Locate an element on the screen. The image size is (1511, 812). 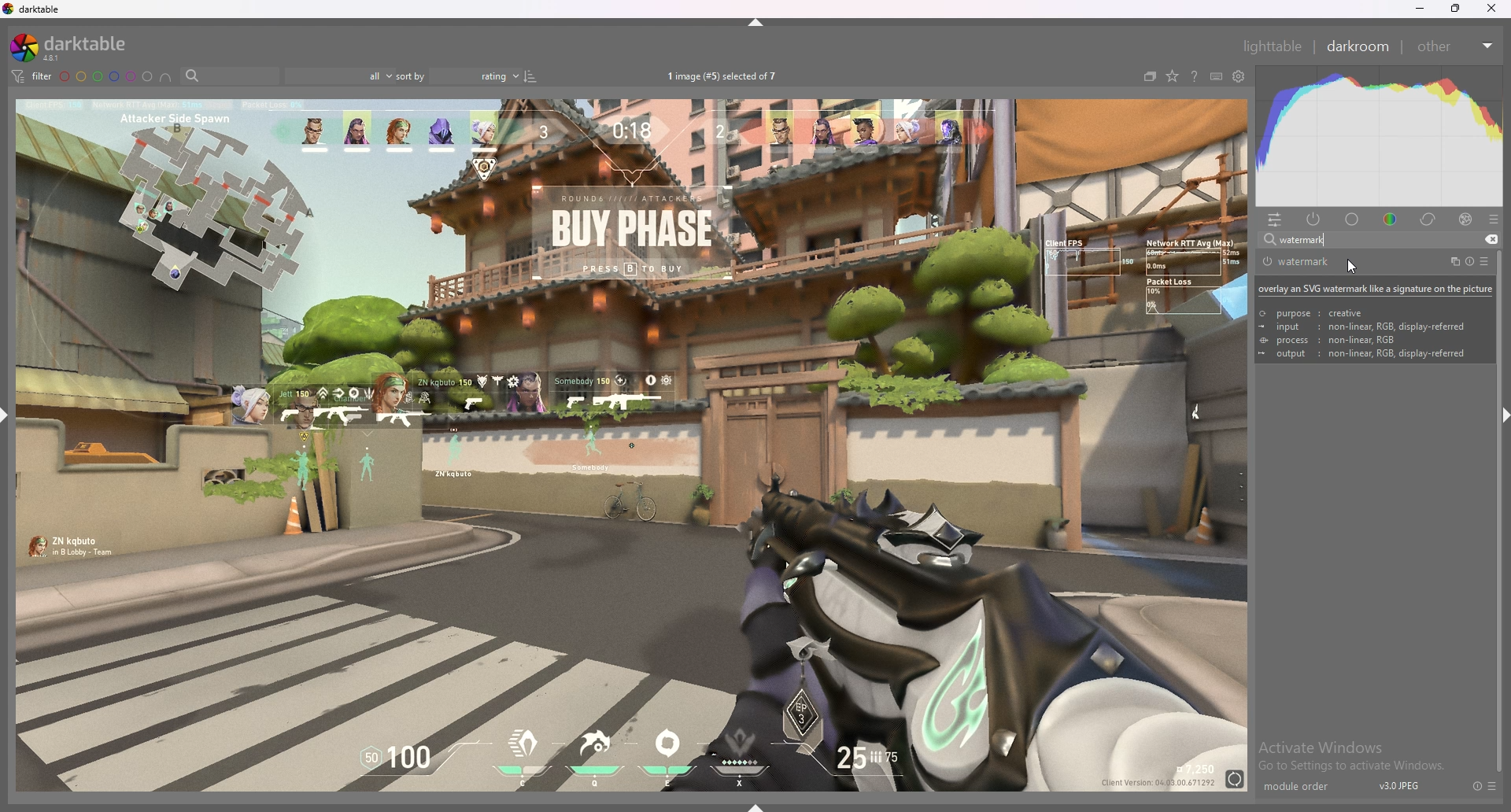
effect is located at coordinates (1465, 220).